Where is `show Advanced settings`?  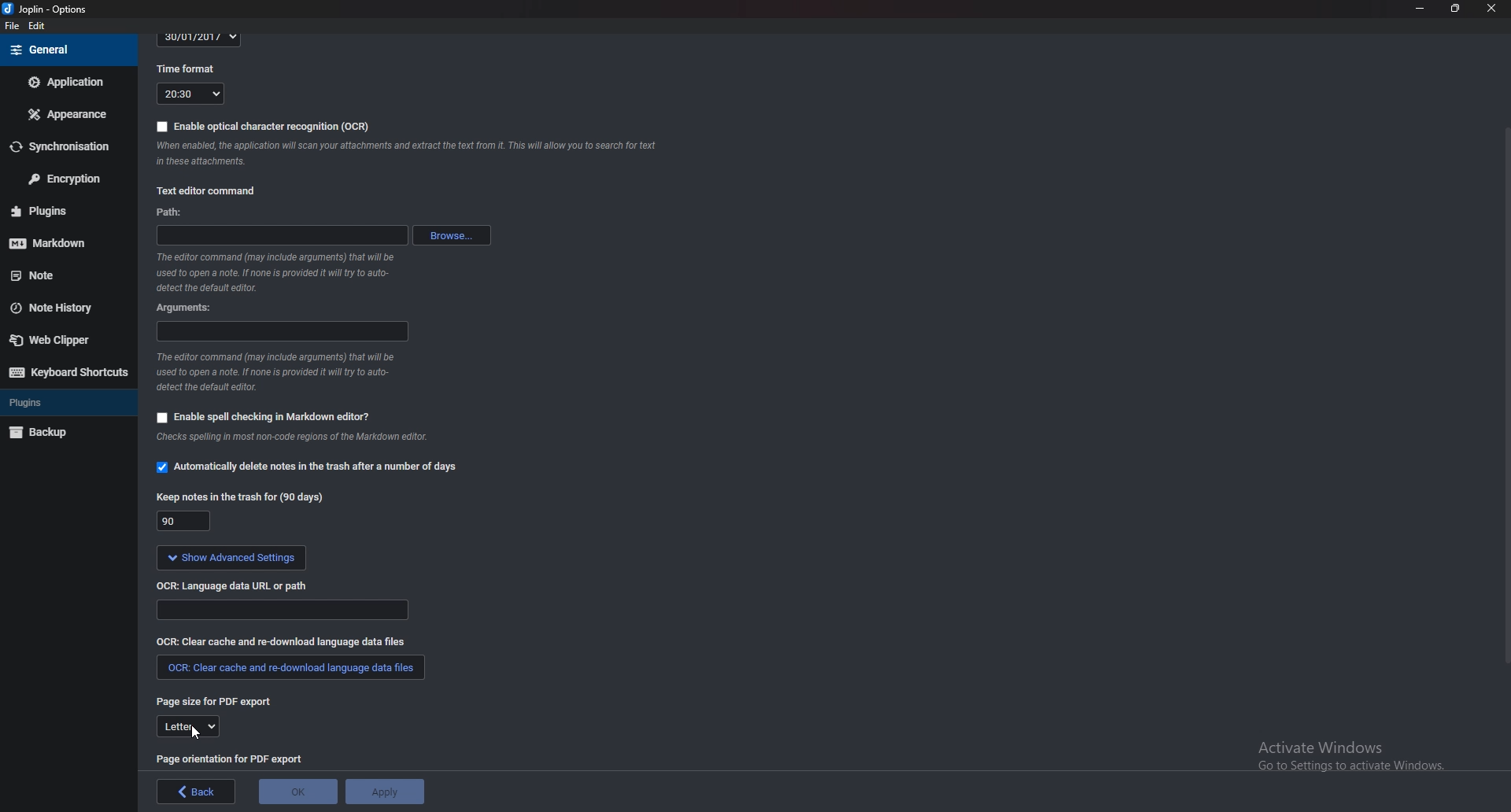
show Advanced settings is located at coordinates (231, 558).